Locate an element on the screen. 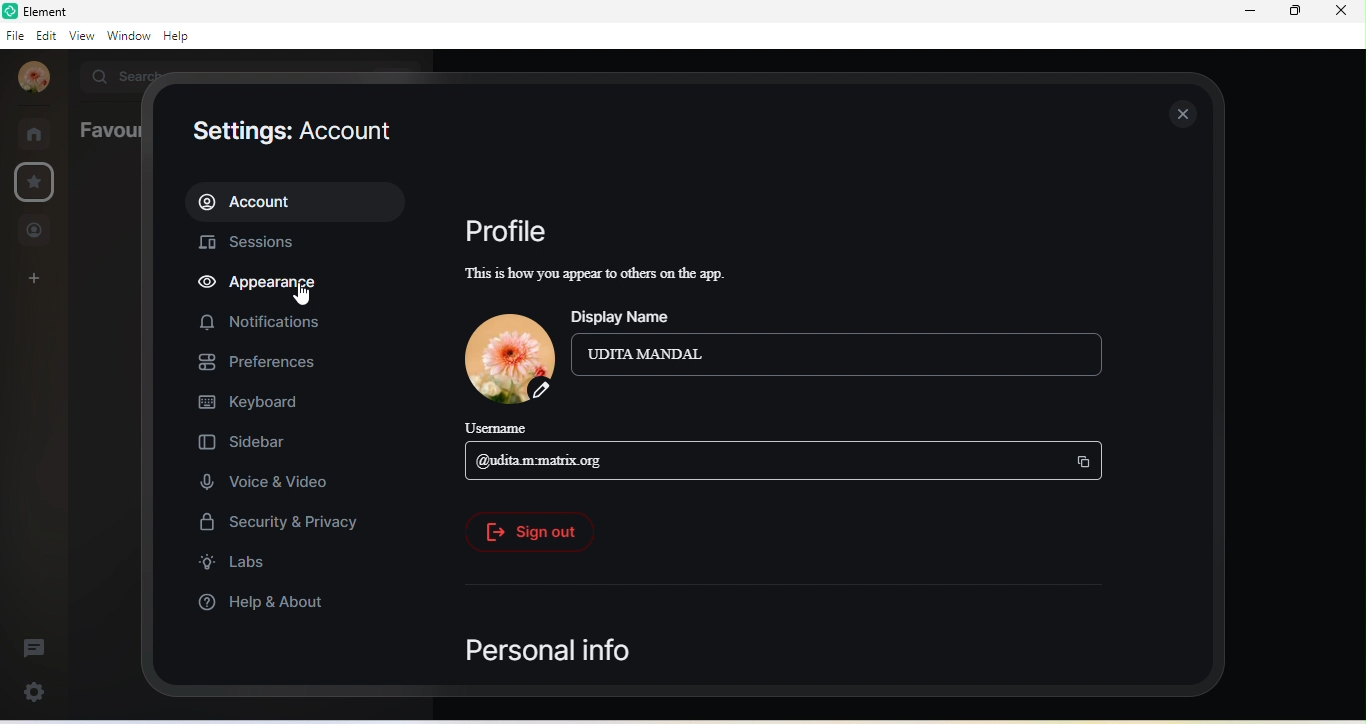 The image size is (1366, 724). title is located at coordinates (51, 10).